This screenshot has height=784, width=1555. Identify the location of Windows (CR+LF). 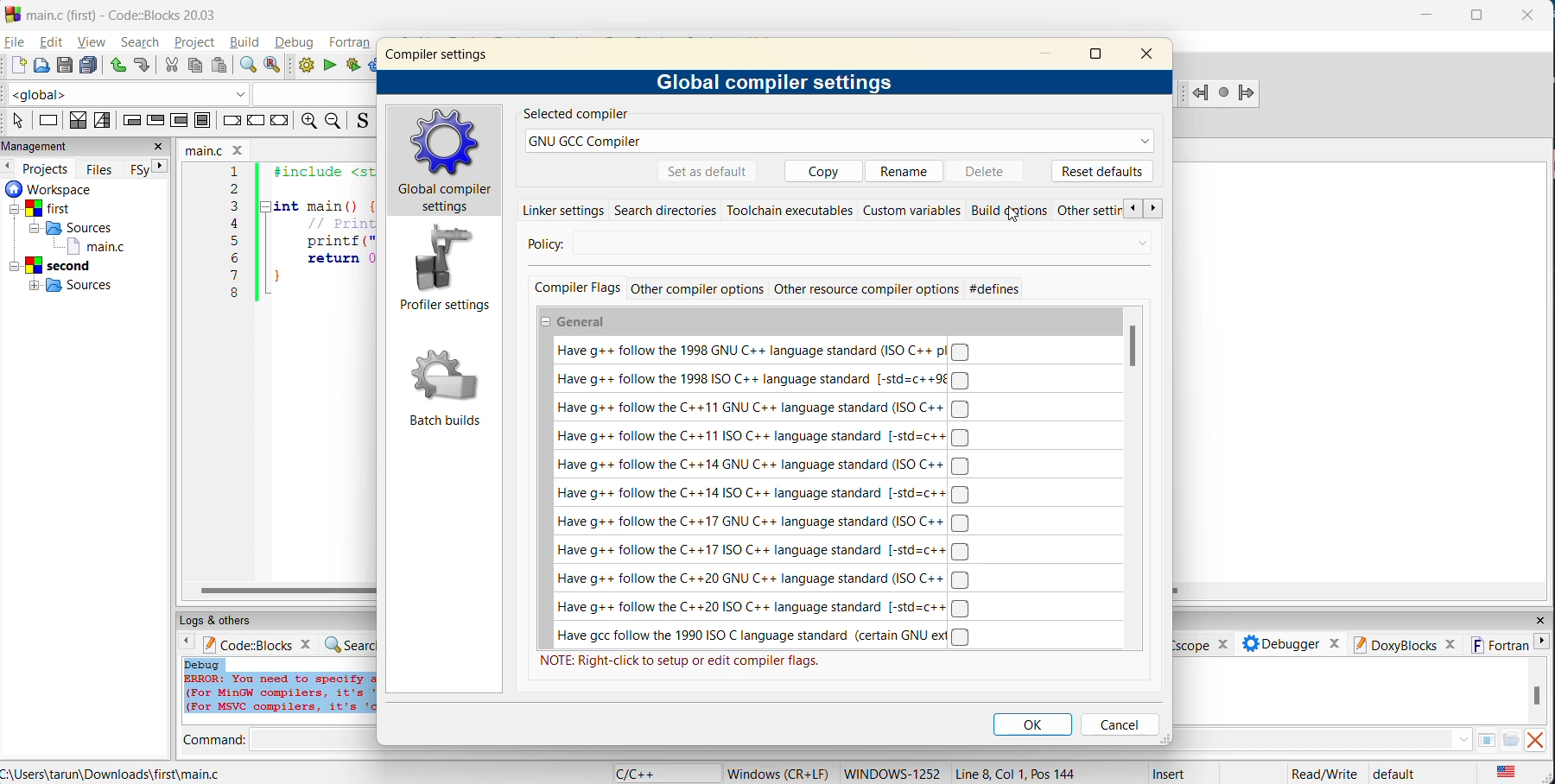
(777, 773).